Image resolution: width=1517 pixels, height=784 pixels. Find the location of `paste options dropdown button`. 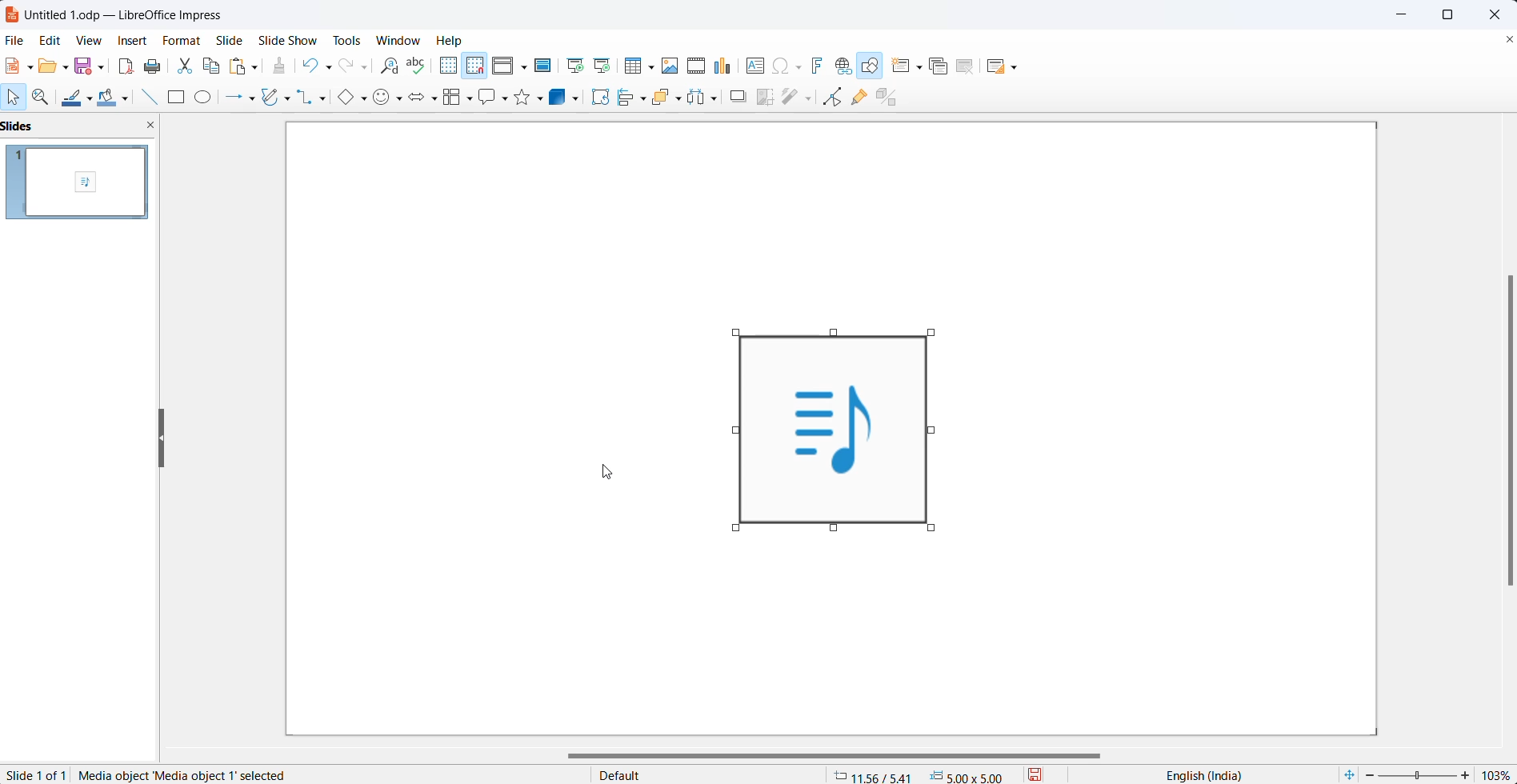

paste options dropdown button is located at coordinates (258, 66).